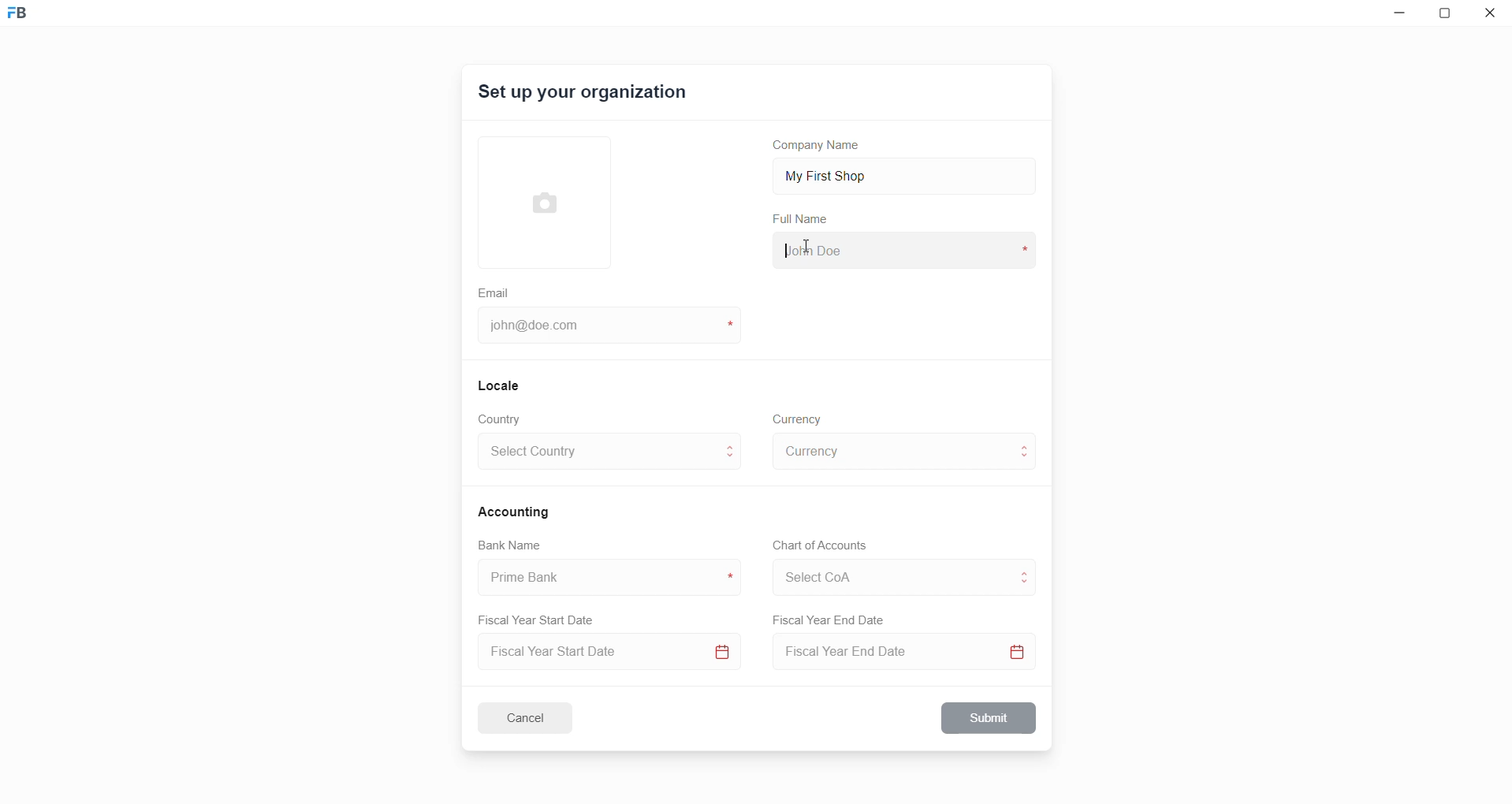 The image size is (1512, 804). Describe the element at coordinates (605, 653) in the screenshot. I see `select fiscal year start date` at that location.